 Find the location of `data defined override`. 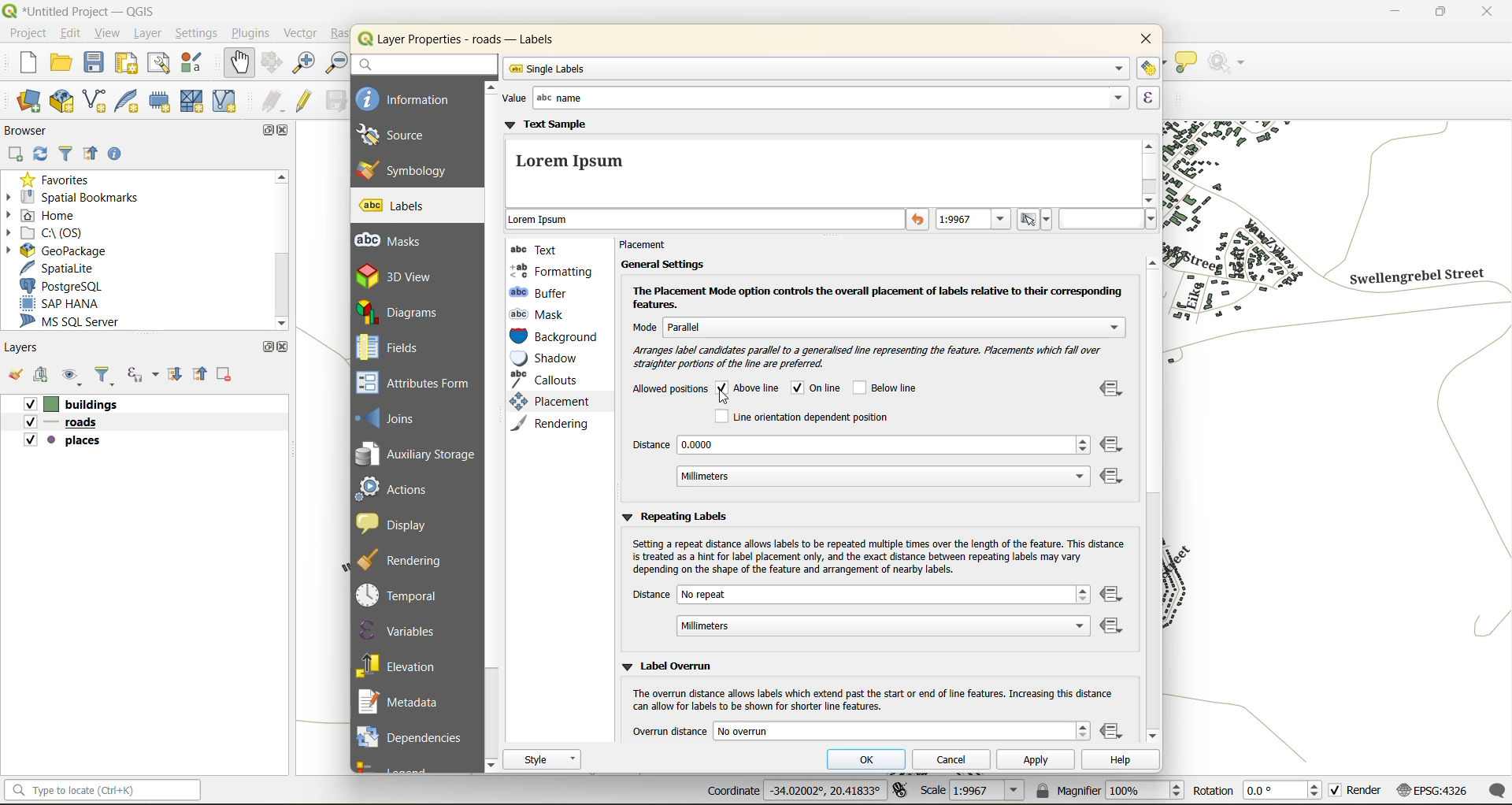

data defined override is located at coordinates (1114, 733).